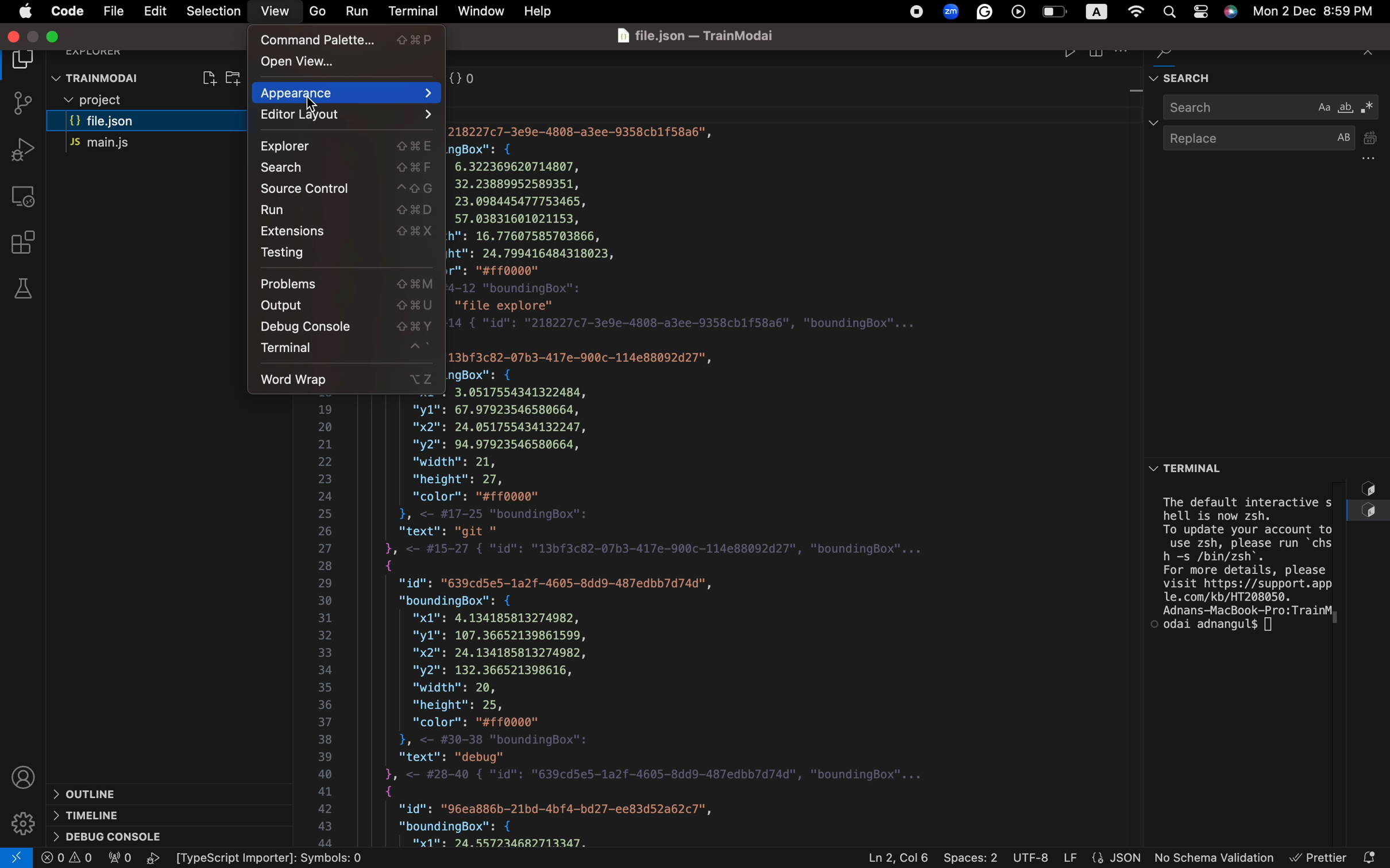 This screenshot has width=1390, height=868. Describe the element at coordinates (353, 9) in the screenshot. I see `run` at that location.